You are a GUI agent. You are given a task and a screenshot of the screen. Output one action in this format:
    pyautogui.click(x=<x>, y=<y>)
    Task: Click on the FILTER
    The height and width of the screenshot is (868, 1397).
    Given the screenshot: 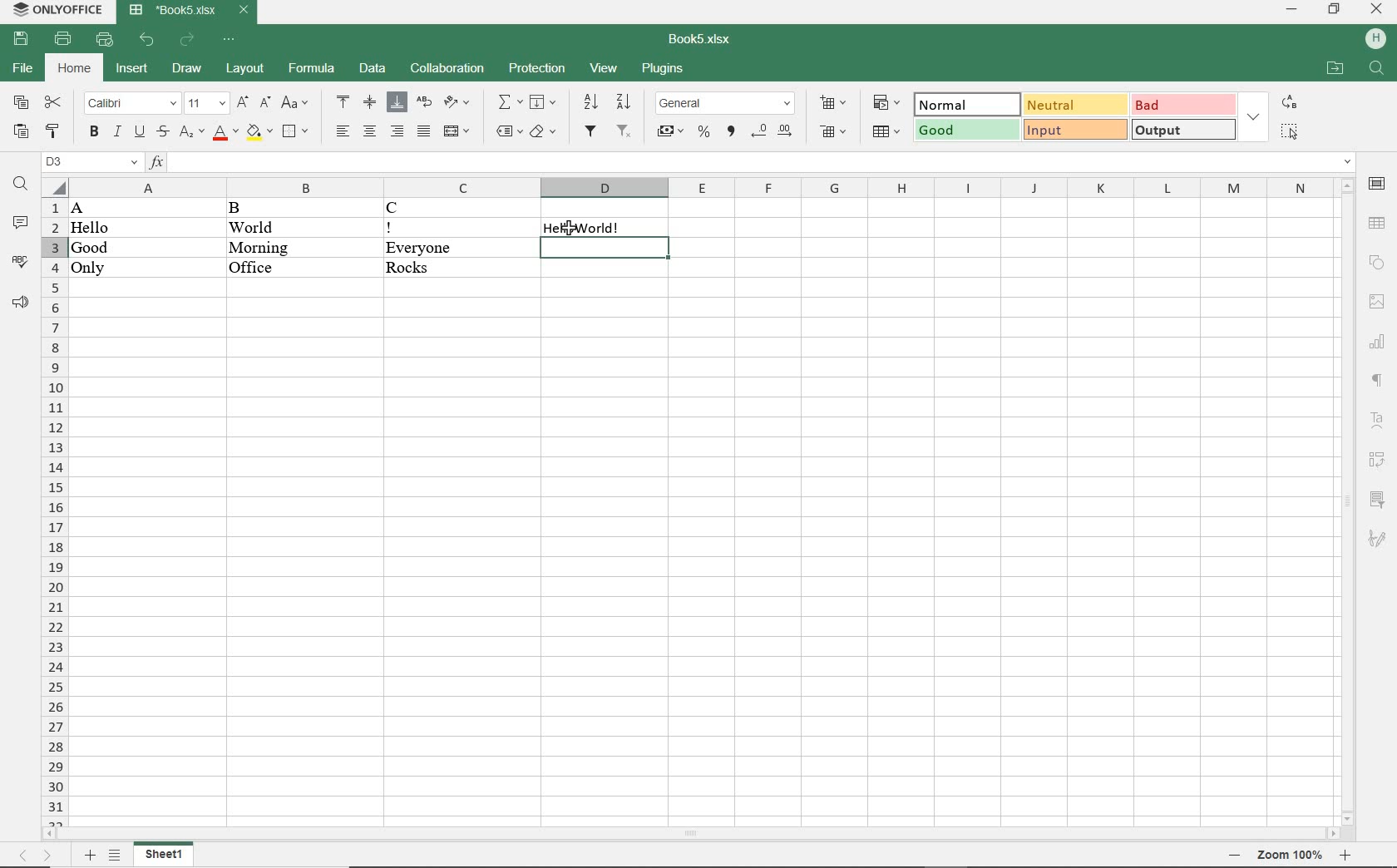 What is the action you would take?
    pyautogui.click(x=590, y=131)
    